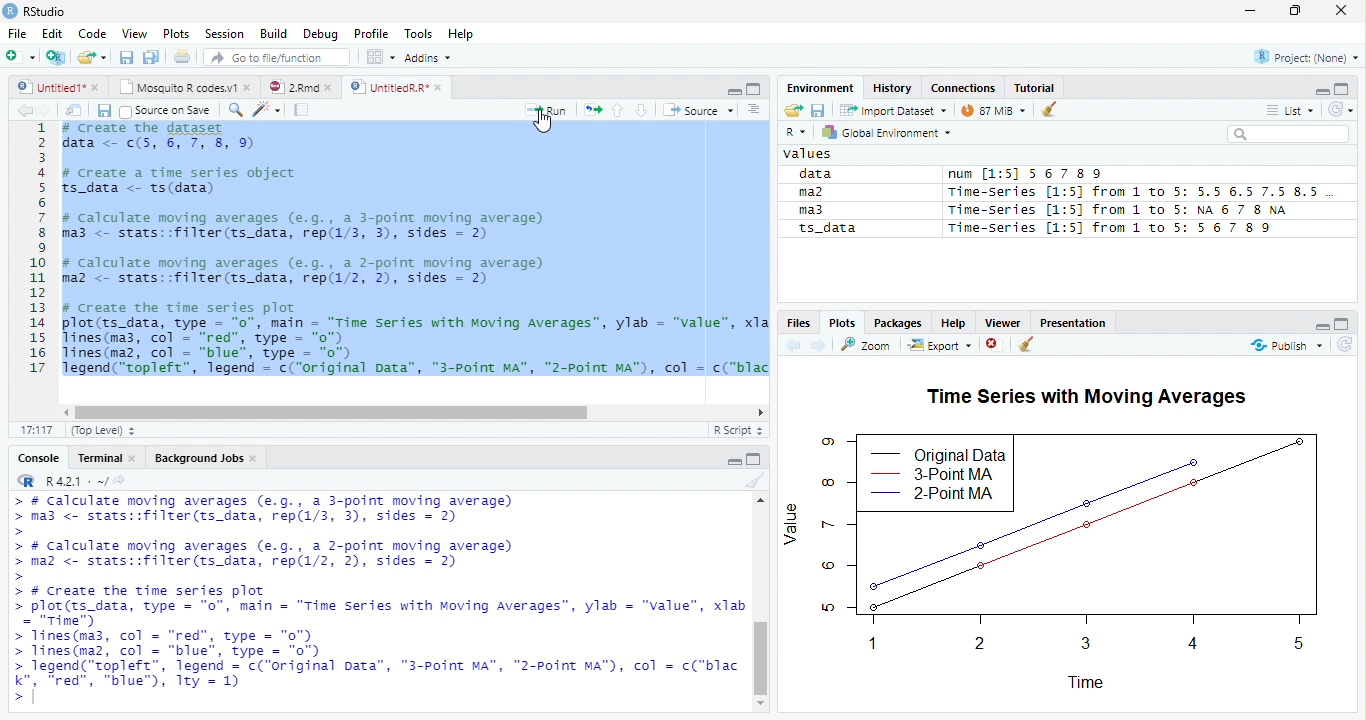 This screenshot has width=1366, height=720. What do you see at coordinates (63, 412) in the screenshot?
I see `scrollbar left` at bounding box center [63, 412].